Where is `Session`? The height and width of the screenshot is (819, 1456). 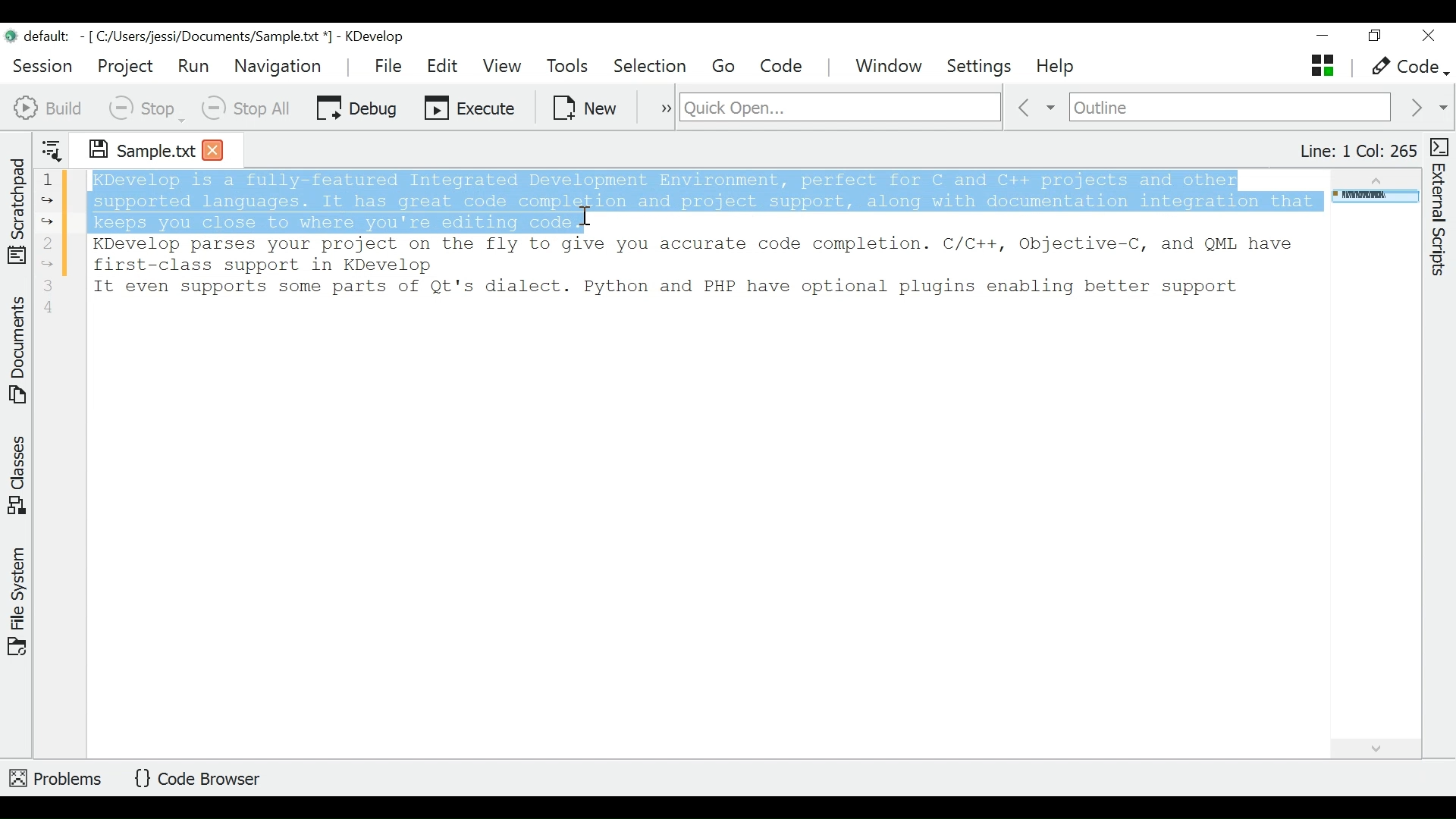
Session is located at coordinates (43, 64).